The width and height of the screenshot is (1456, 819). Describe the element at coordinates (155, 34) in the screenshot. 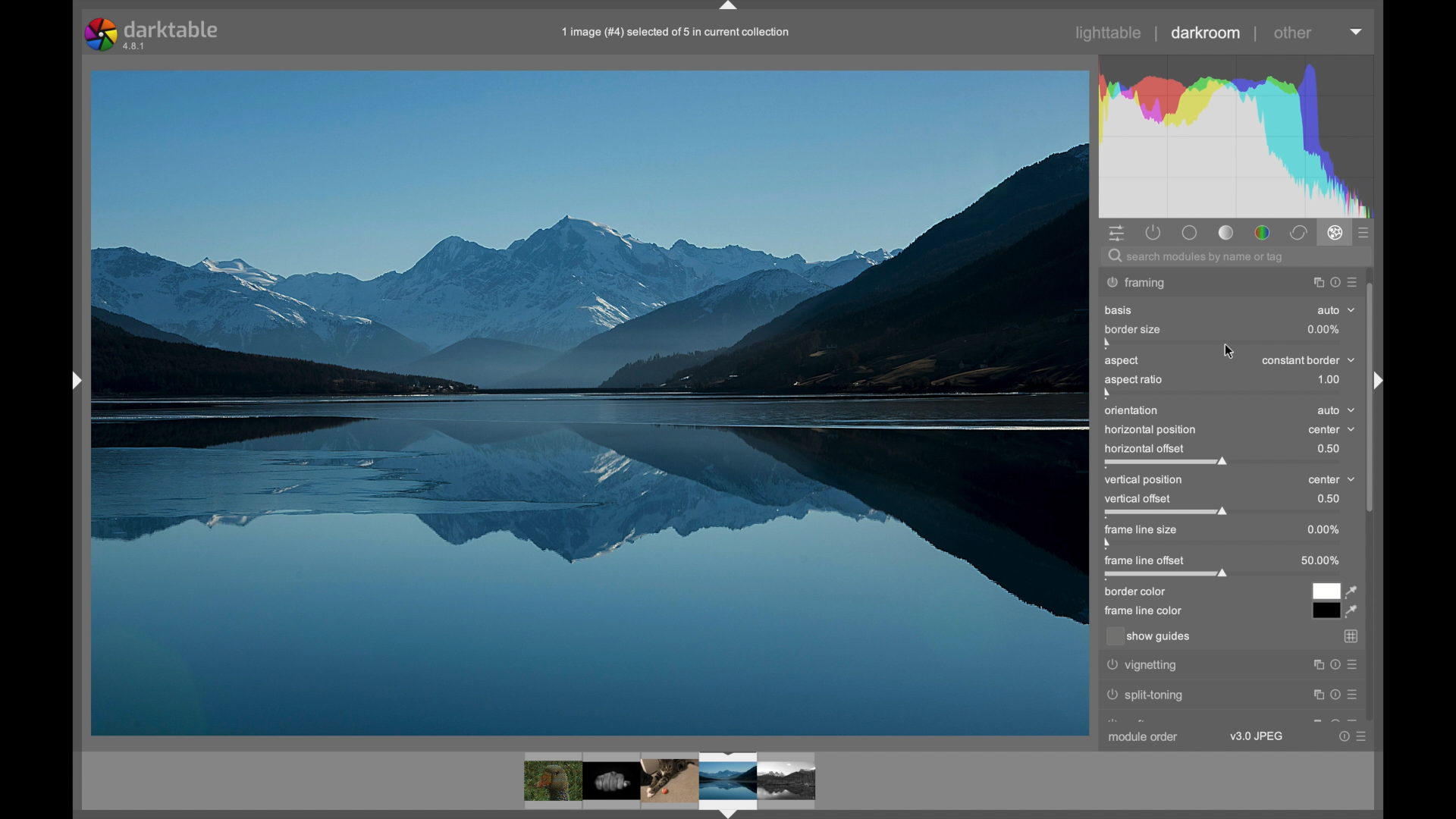

I see `darktable` at that location.